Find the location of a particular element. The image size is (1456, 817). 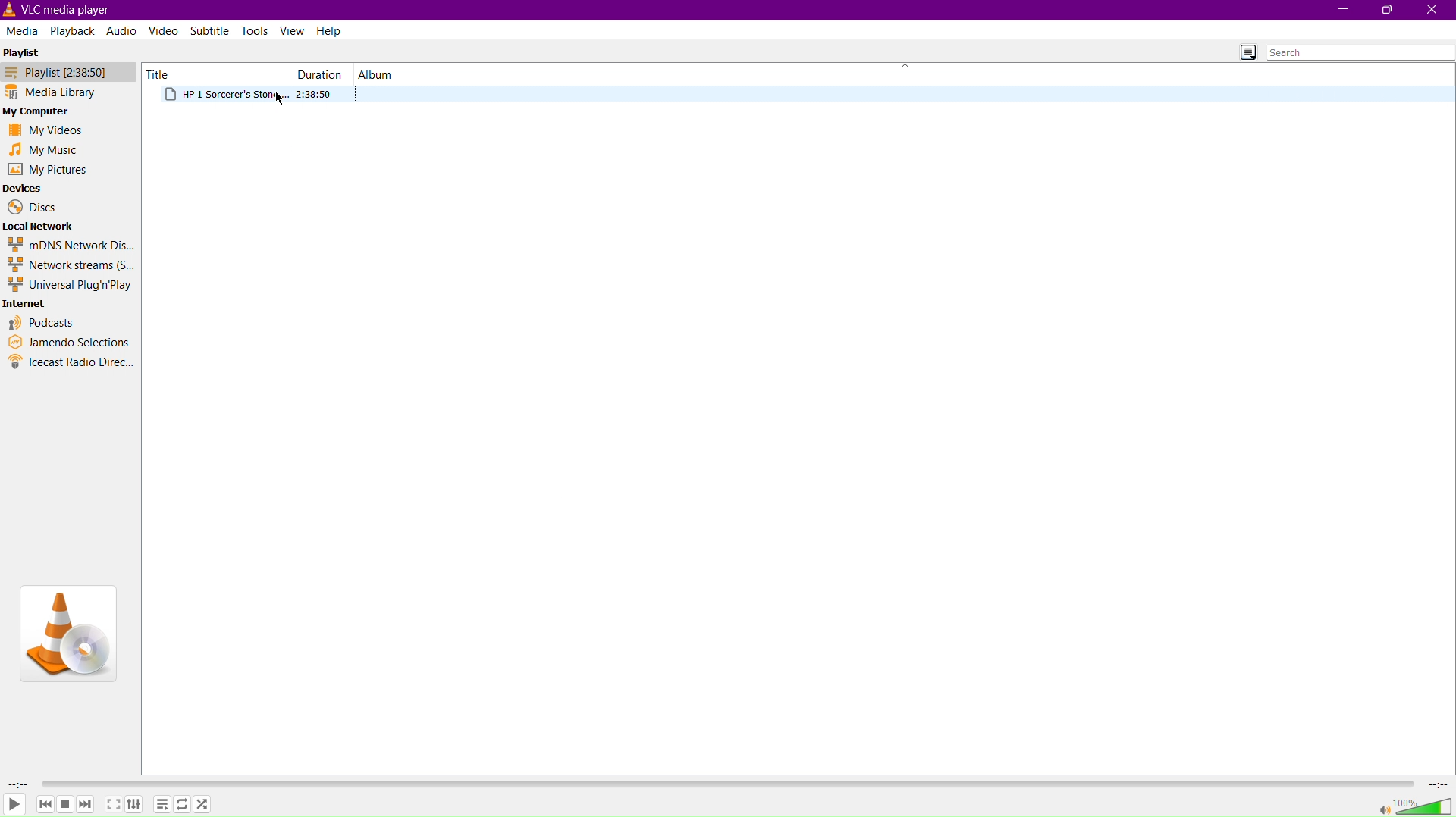

mDNS Network is located at coordinates (69, 244).